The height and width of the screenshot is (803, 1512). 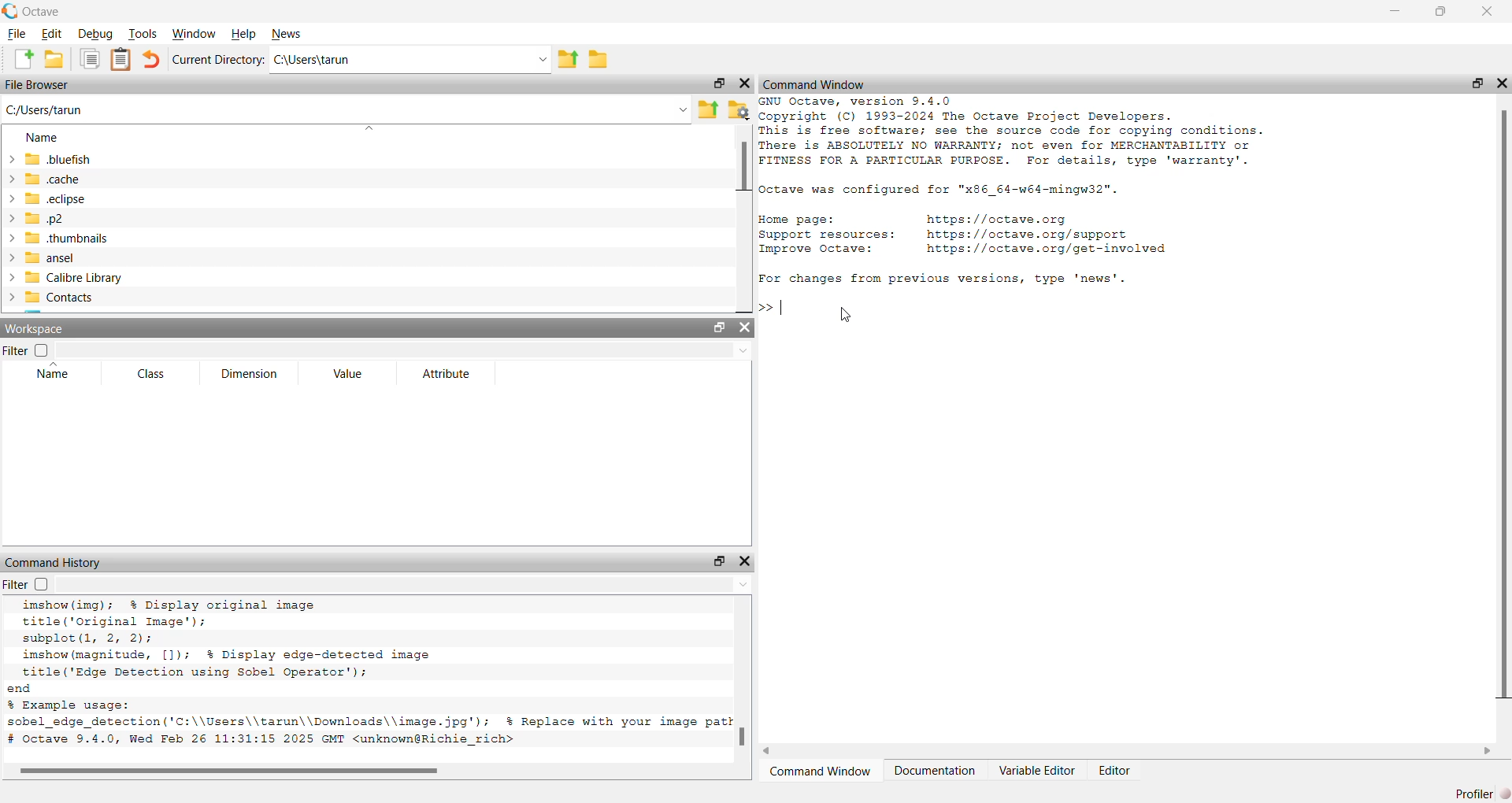 I want to click on File Browser, so click(x=39, y=85).